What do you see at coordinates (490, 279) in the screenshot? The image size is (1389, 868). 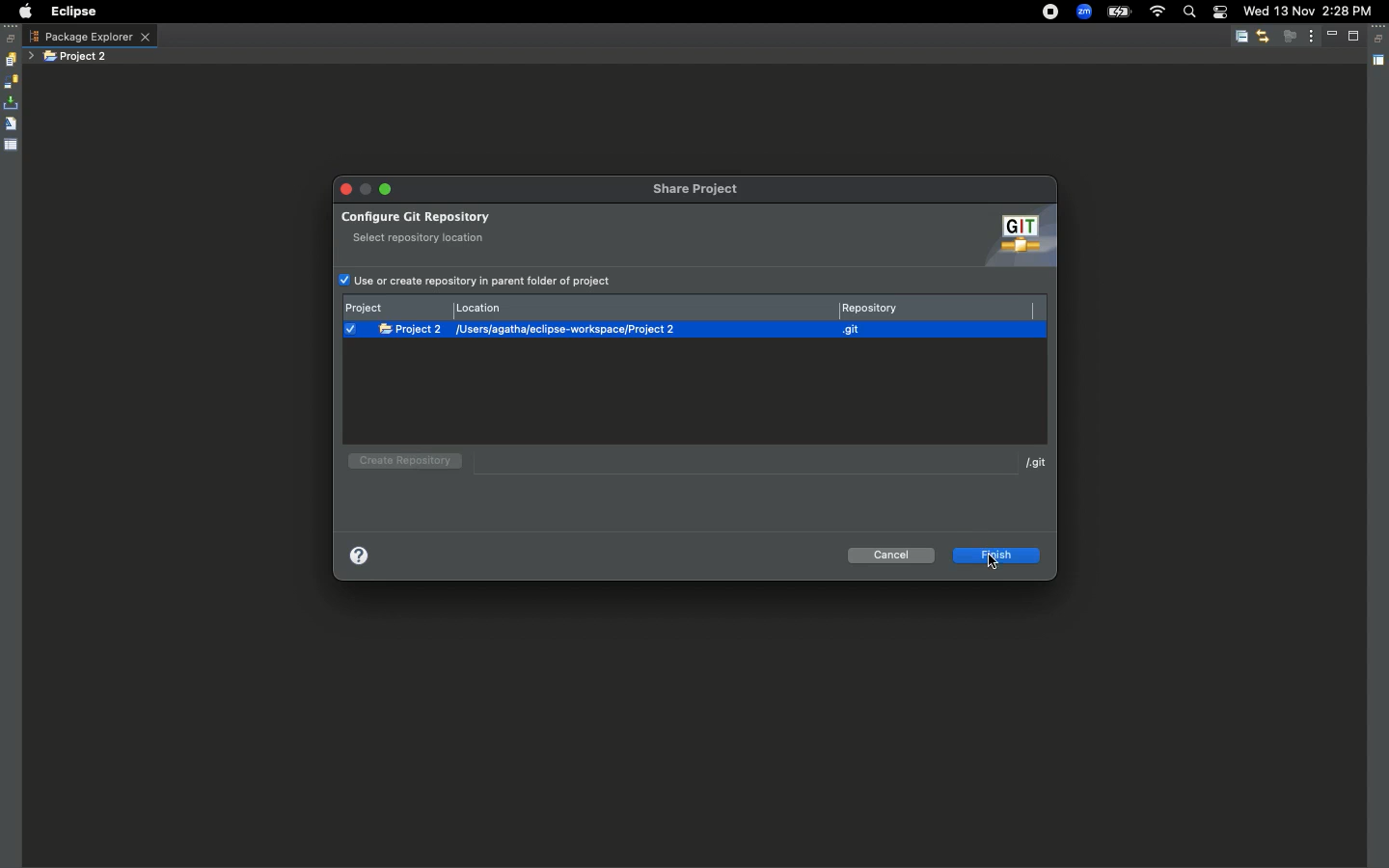 I see `Use or create repository in parent folder of project` at bounding box center [490, 279].